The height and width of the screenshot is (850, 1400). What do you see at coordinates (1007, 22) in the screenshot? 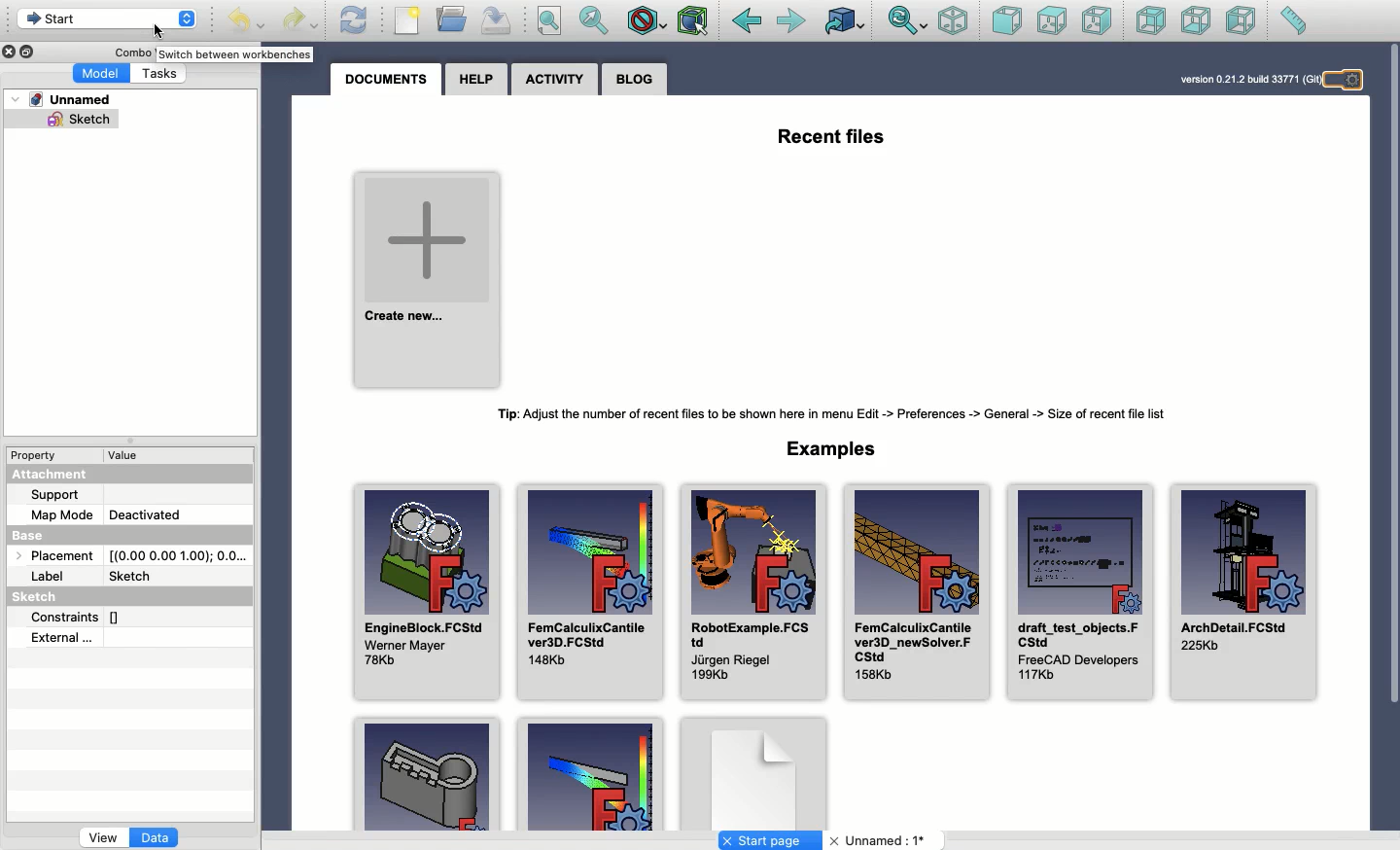
I see `Front` at bounding box center [1007, 22].